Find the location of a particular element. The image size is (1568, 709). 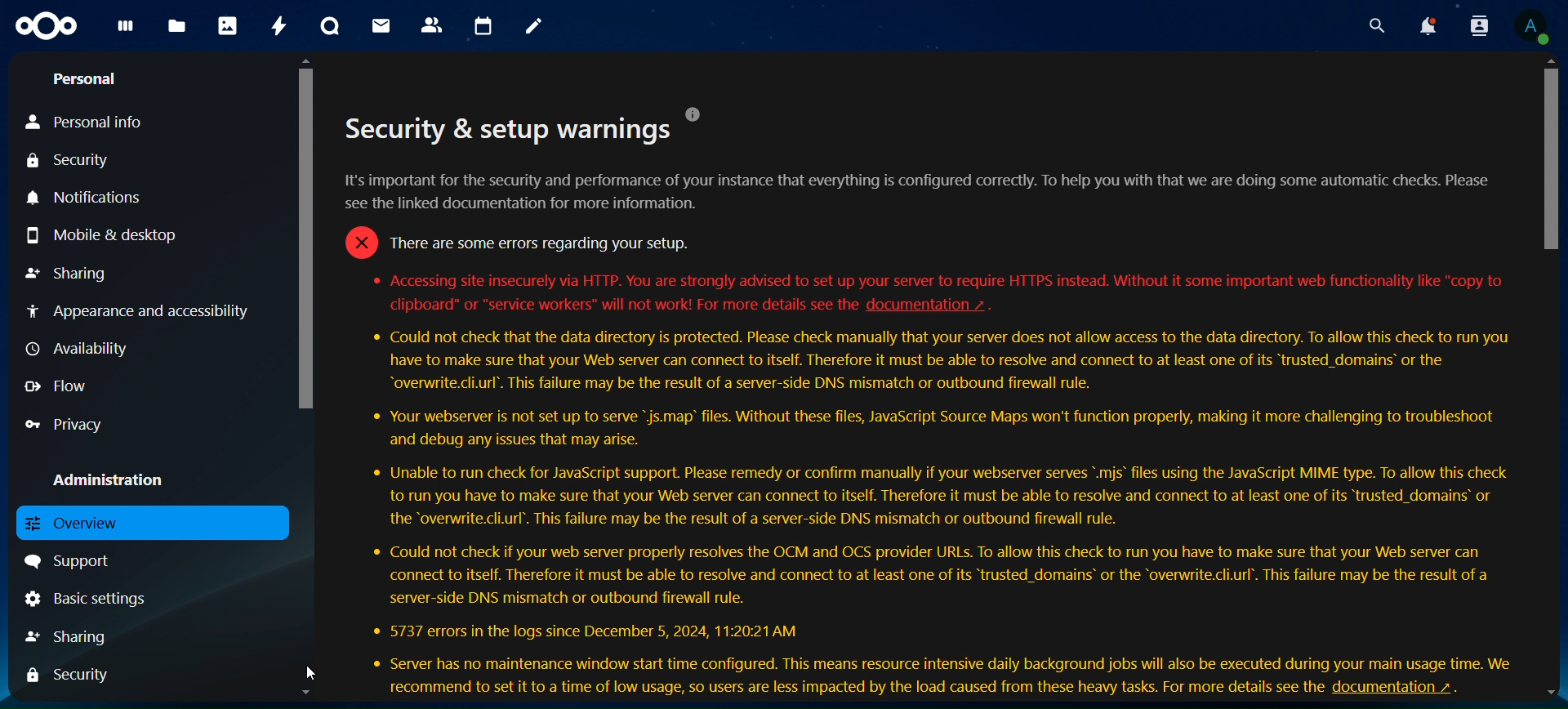

sharing is located at coordinates (73, 274).